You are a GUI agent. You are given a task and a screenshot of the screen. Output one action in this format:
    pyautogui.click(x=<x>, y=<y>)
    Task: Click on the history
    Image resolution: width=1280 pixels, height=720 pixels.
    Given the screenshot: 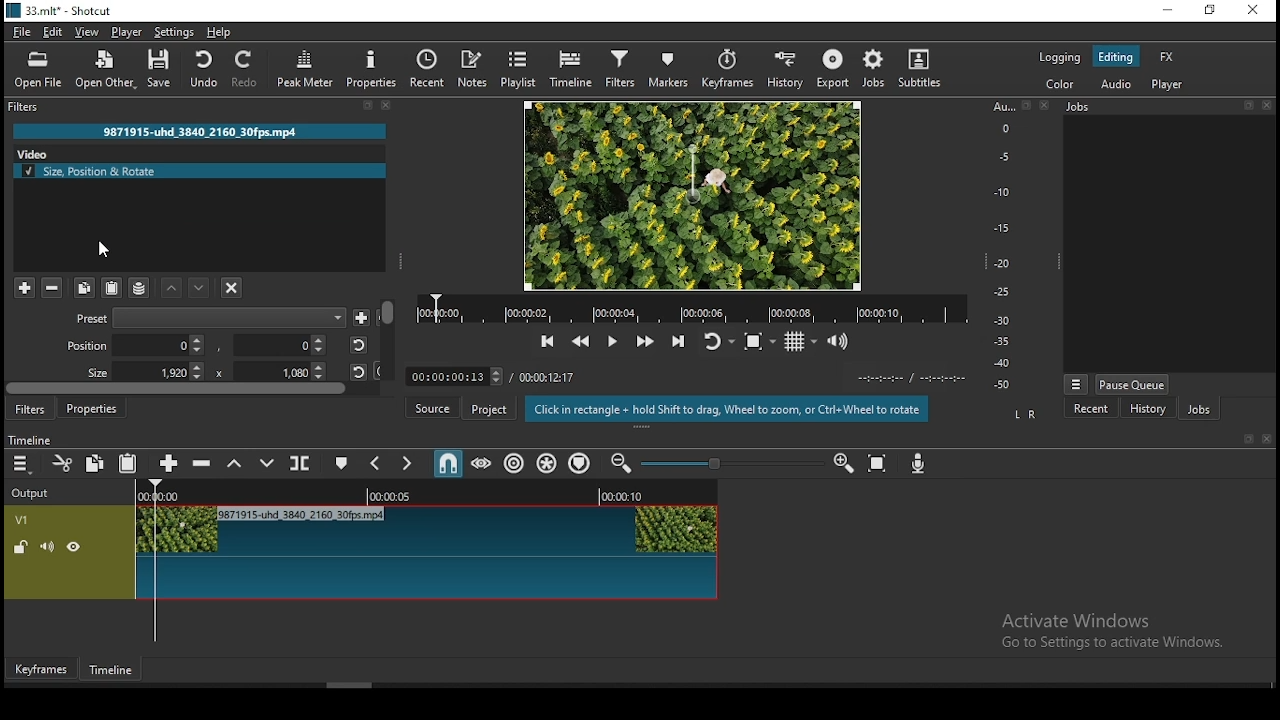 What is the action you would take?
    pyautogui.click(x=780, y=71)
    